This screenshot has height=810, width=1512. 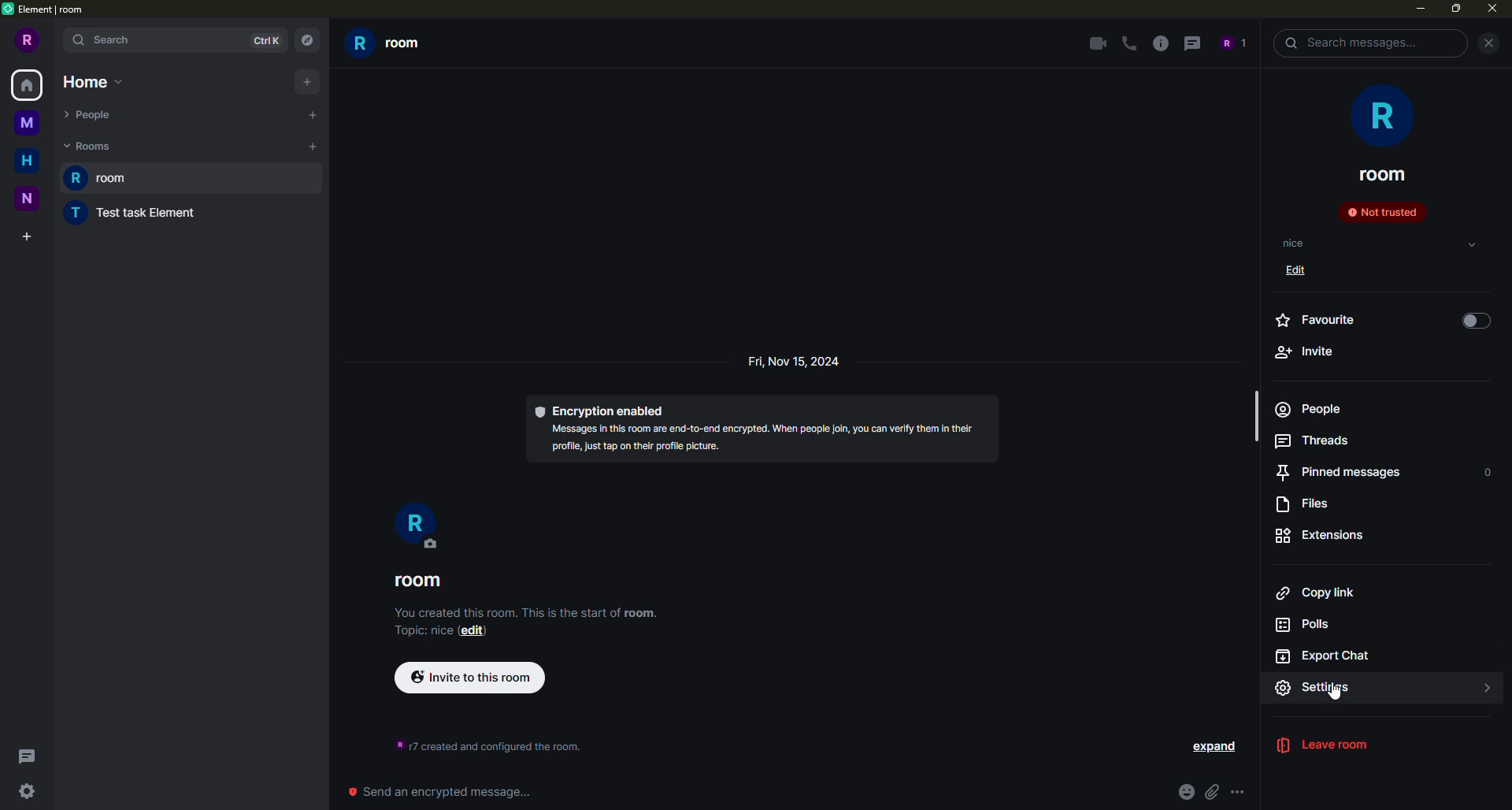 What do you see at coordinates (1304, 351) in the screenshot?
I see `invite` at bounding box center [1304, 351].